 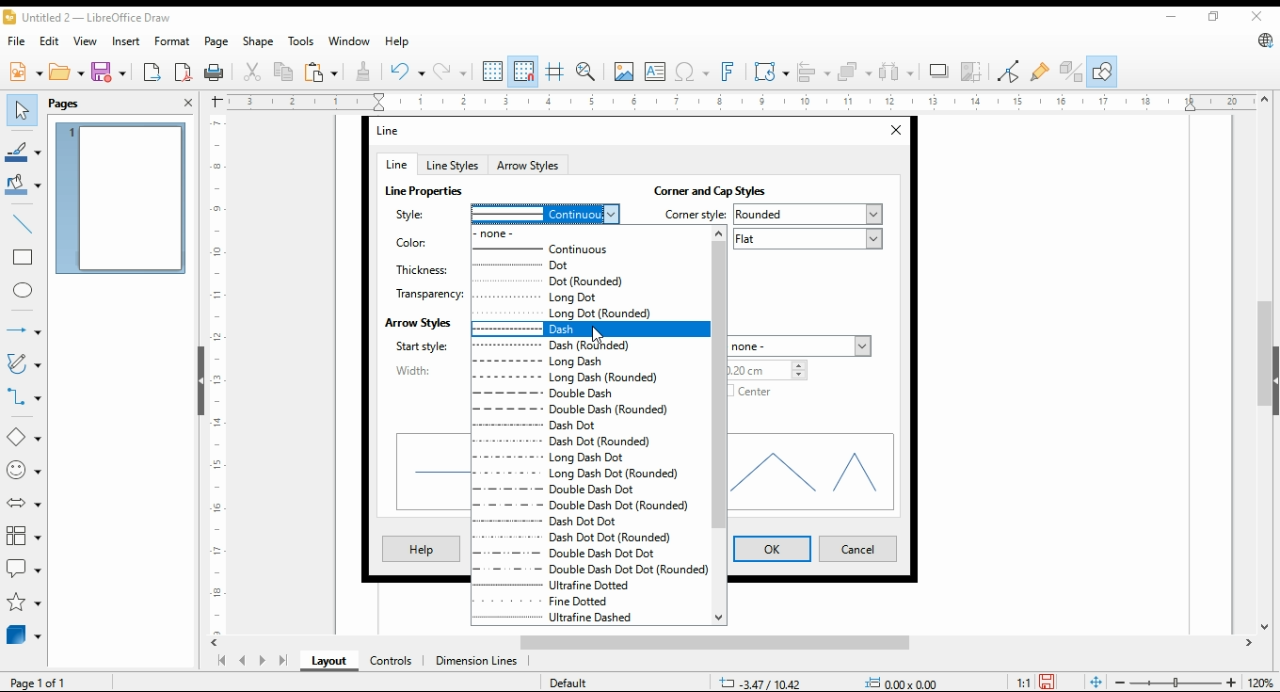 I want to click on Help, so click(x=422, y=551).